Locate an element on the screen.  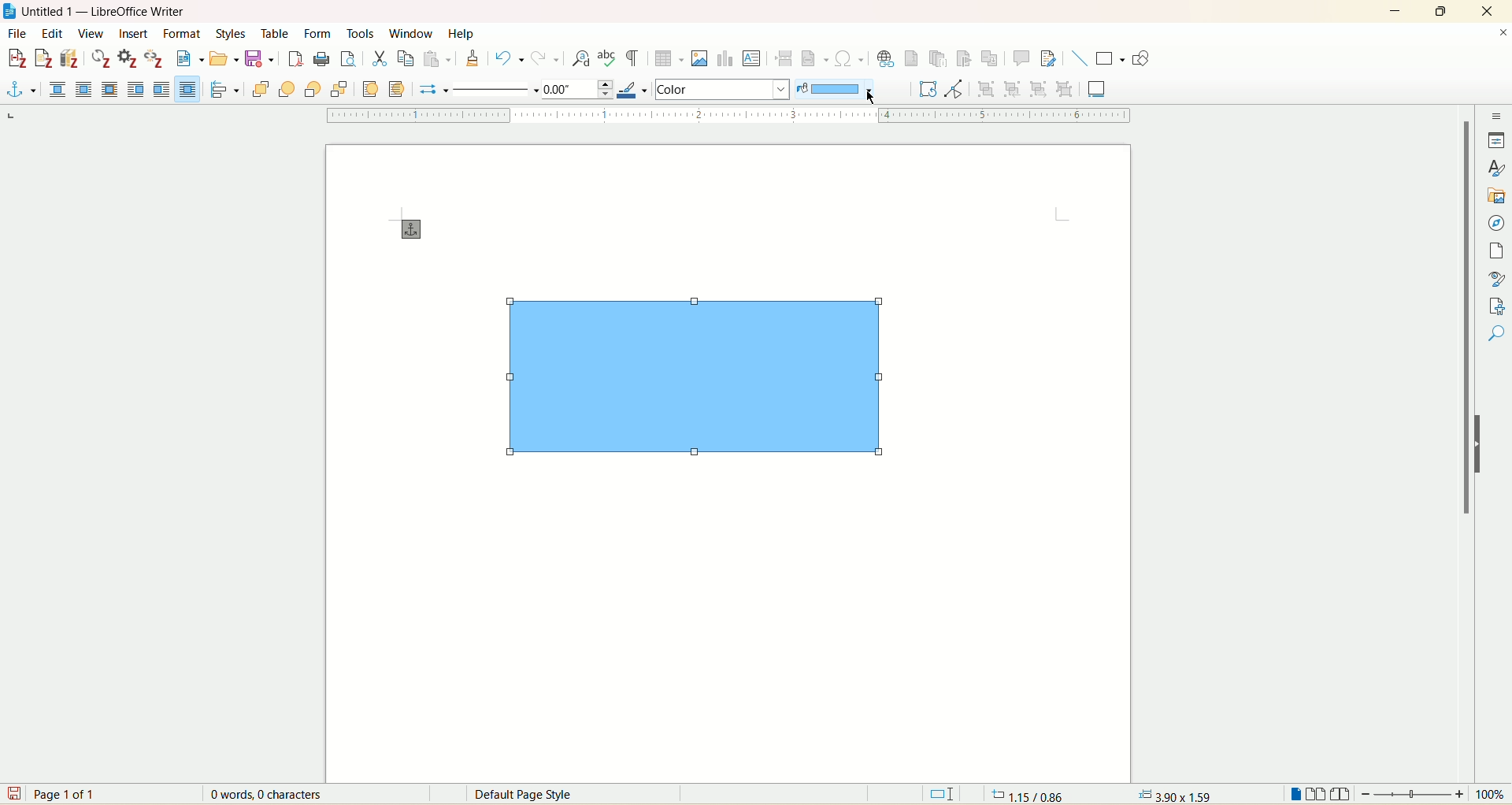
bring to front is located at coordinates (261, 88).